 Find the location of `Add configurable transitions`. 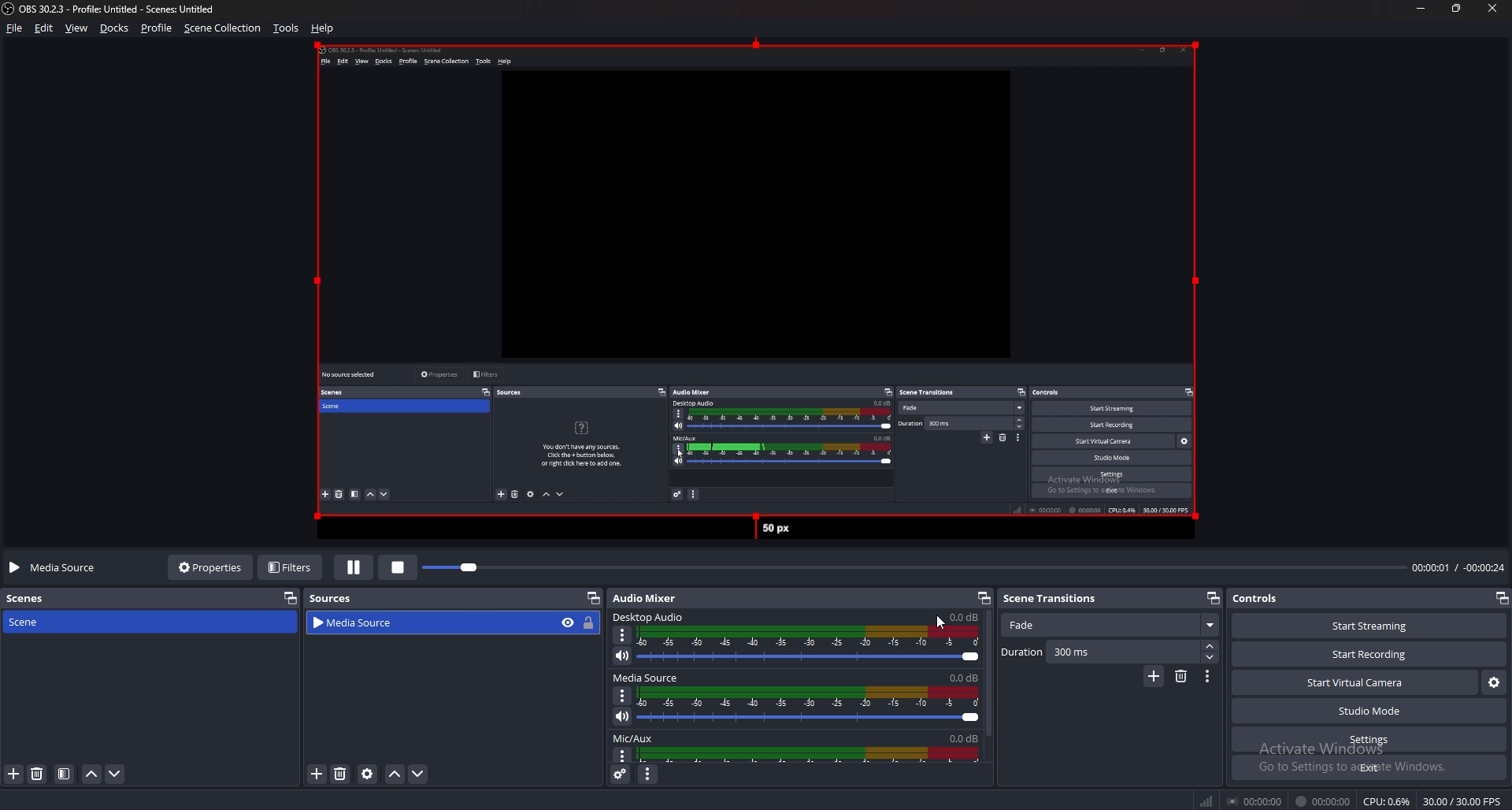

Add configurable transitions is located at coordinates (1154, 677).